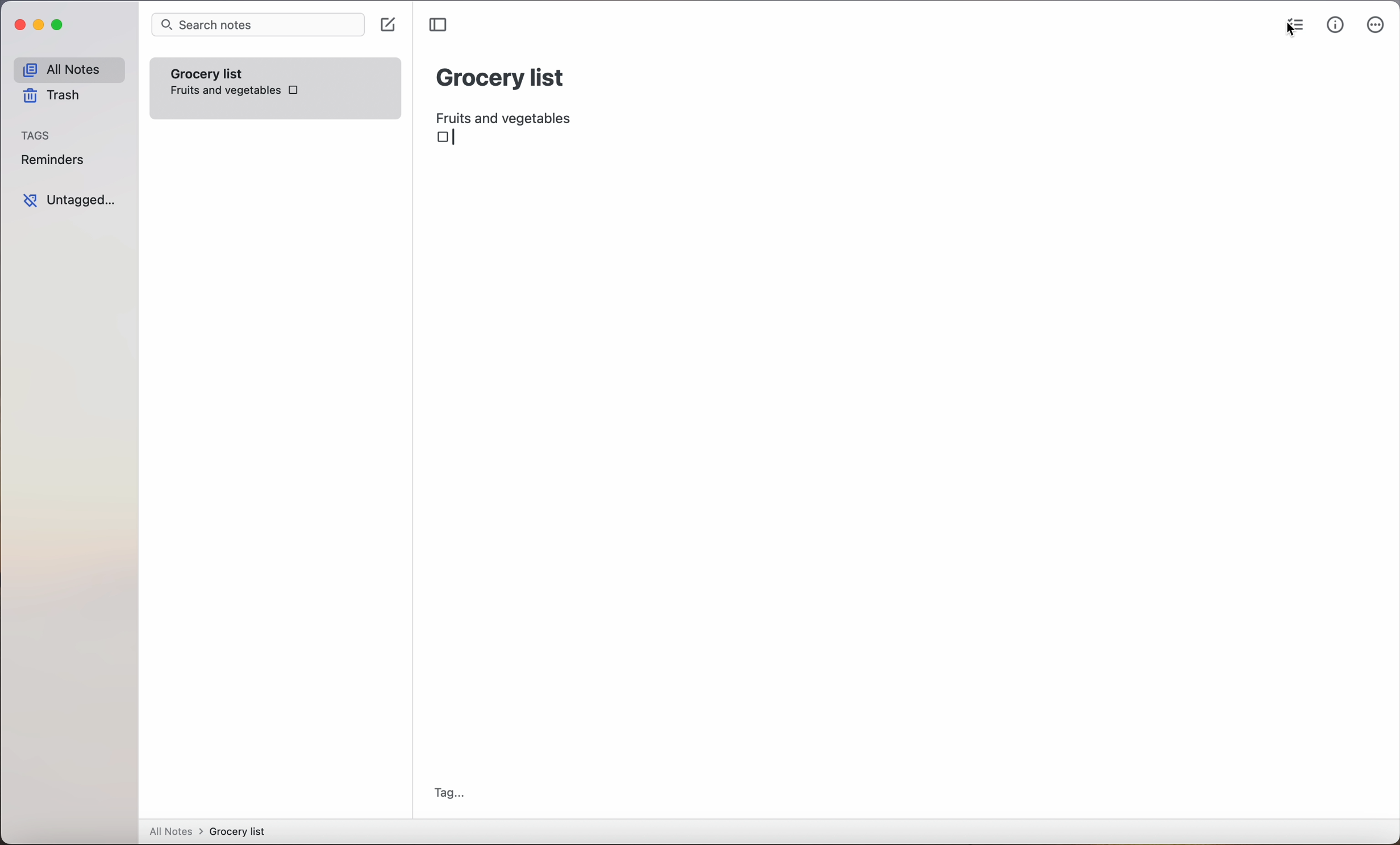 This screenshot has height=845, width=1400. I want to click on all notes > grocery list, so click(212, 833).